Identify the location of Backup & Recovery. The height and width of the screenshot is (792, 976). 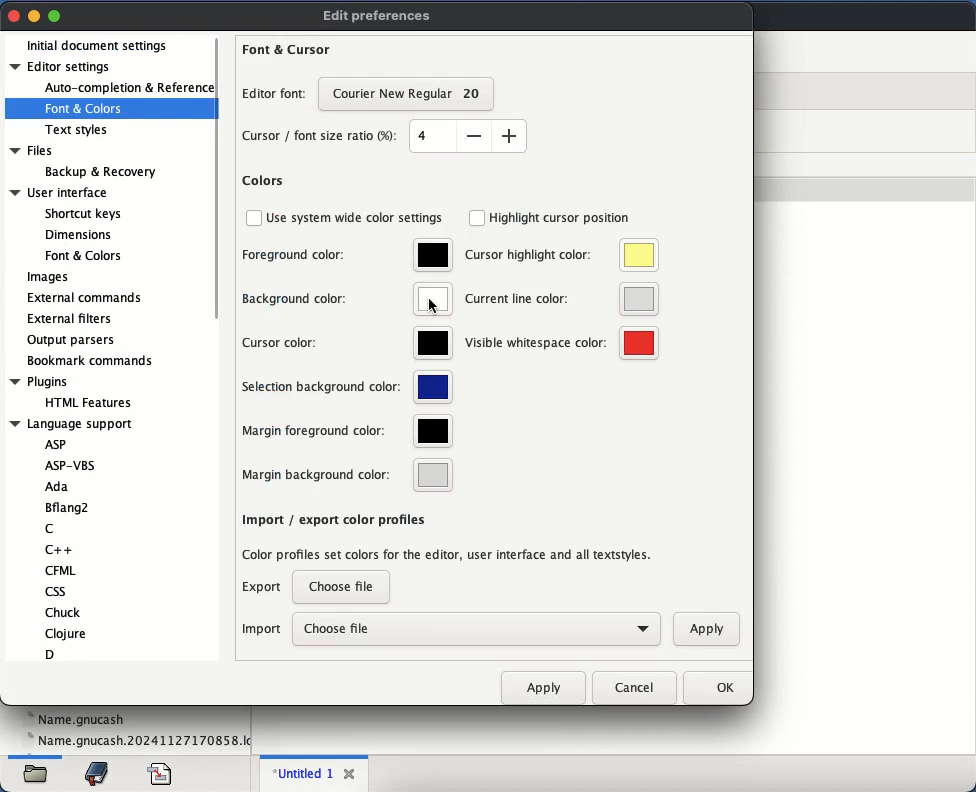
(100, 171).